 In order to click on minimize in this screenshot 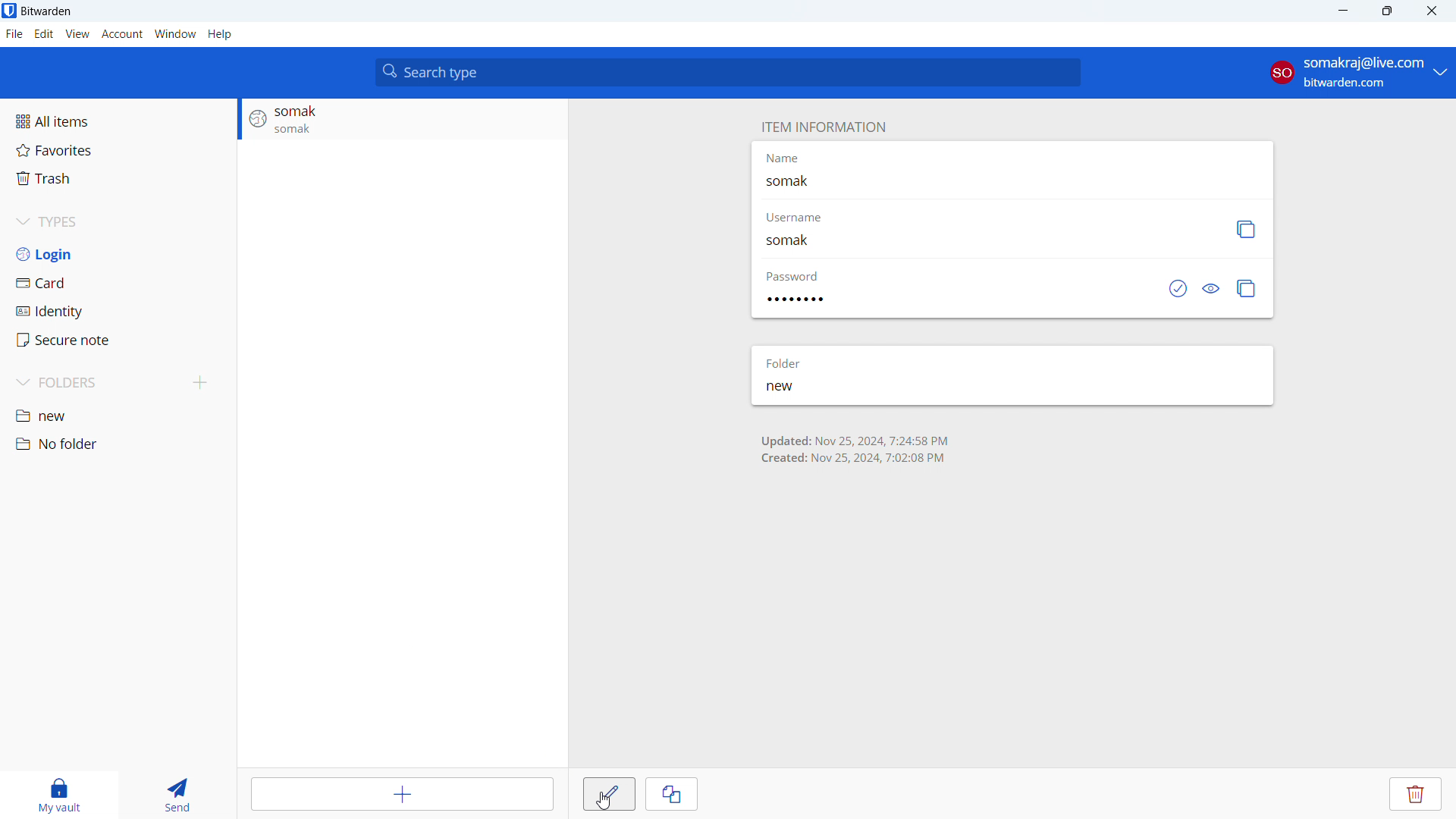, I will do `click(1341, 11)`.